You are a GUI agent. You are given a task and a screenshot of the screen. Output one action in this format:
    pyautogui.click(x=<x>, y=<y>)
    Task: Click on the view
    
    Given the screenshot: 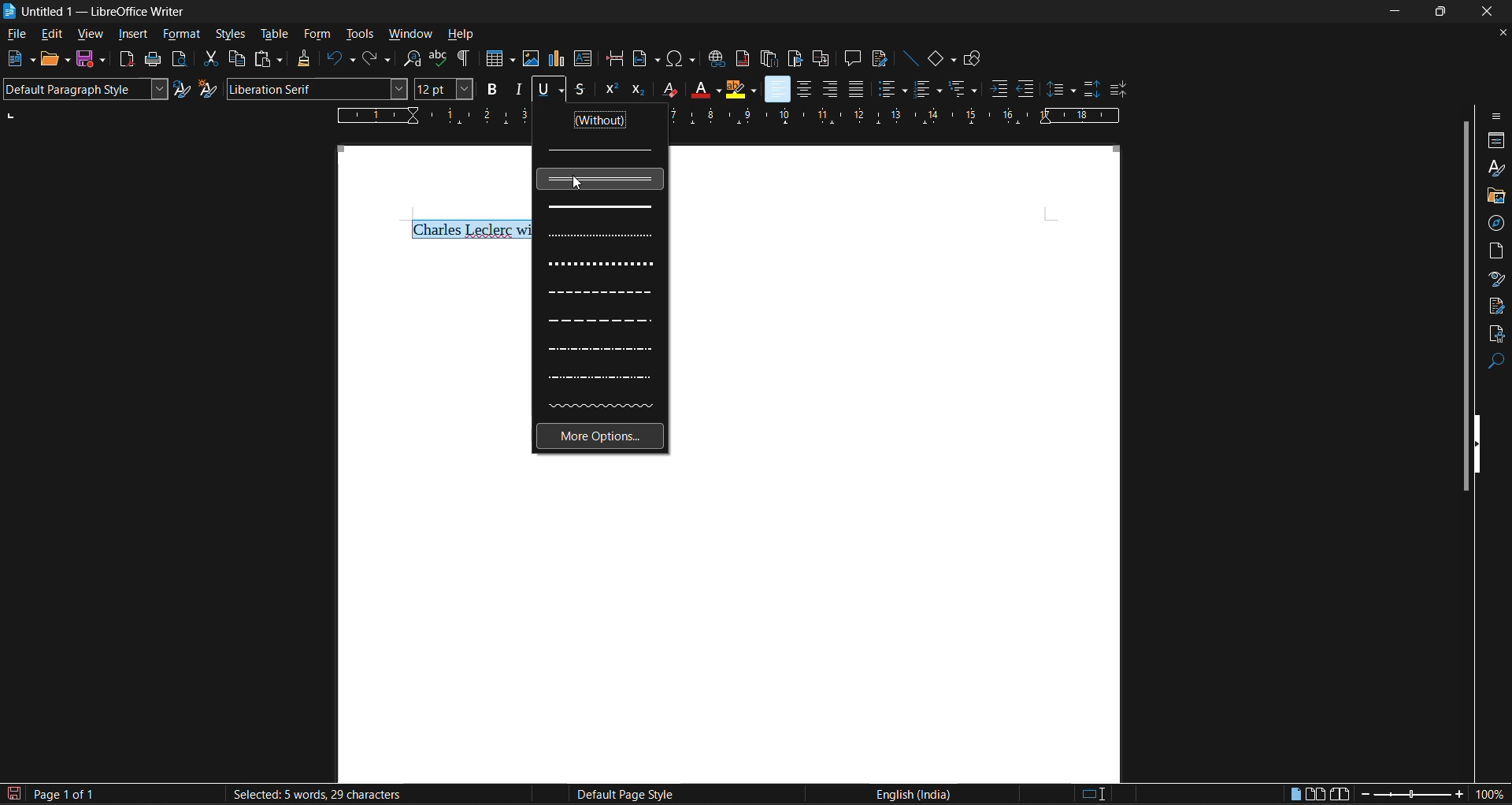 What is the action you would take?
    pyautogui.click(x=88, y=36)
    